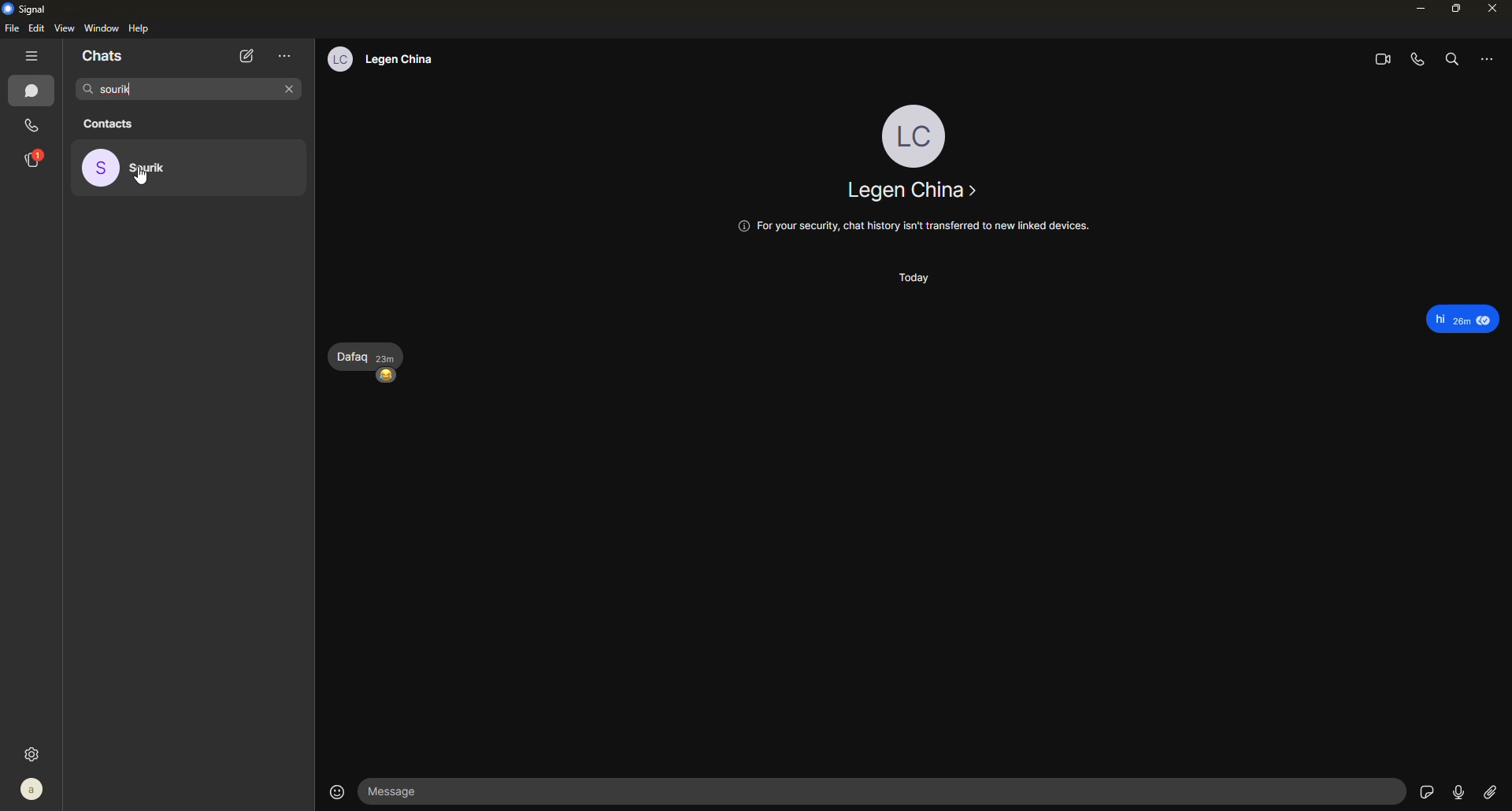  Describe the element at coordinates (914, 277) in the screenshot. I see `today` at that location.